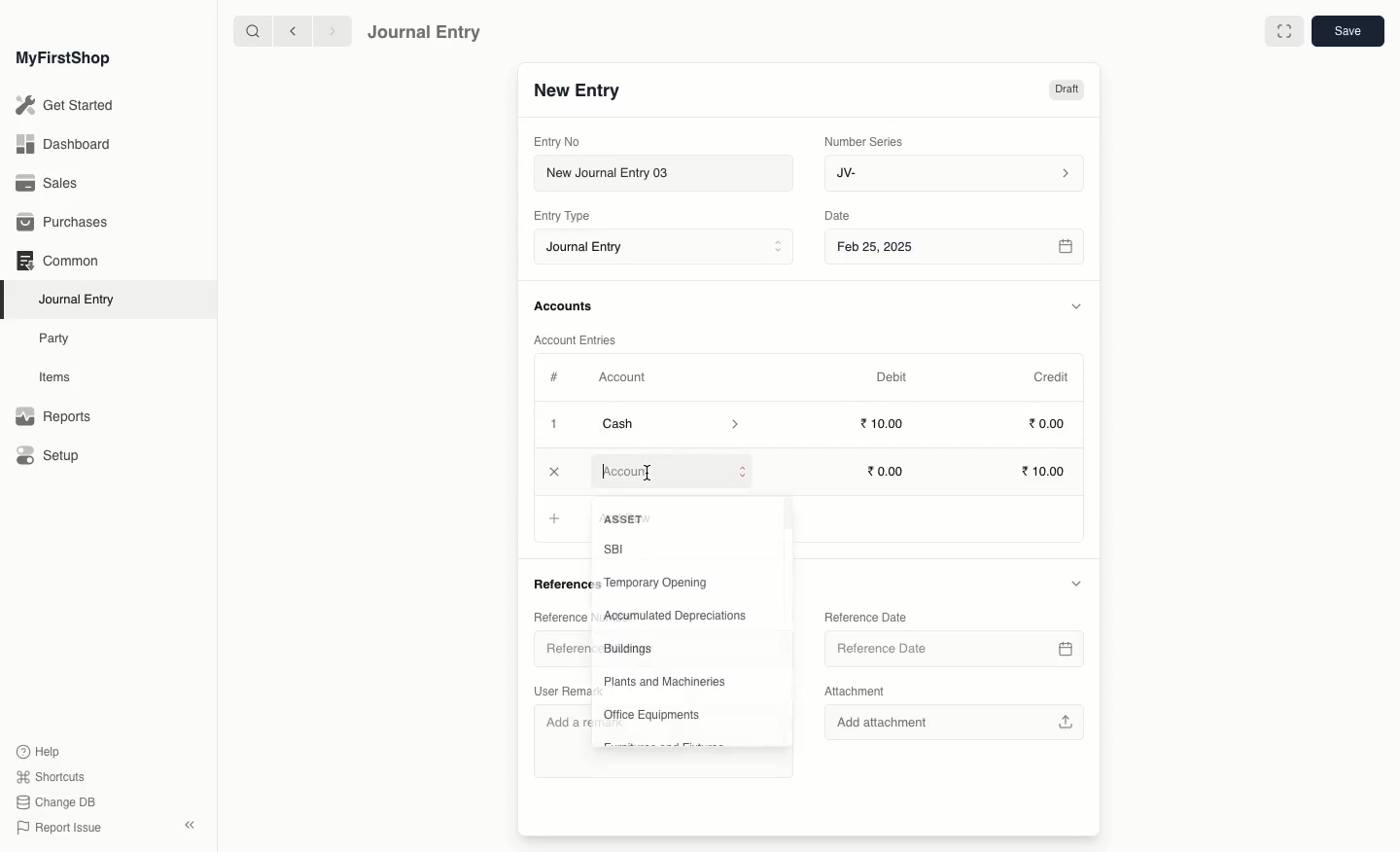 The height and width of the screenshot is (852, 1400). I want to click on Entry No, so click(558, 141).